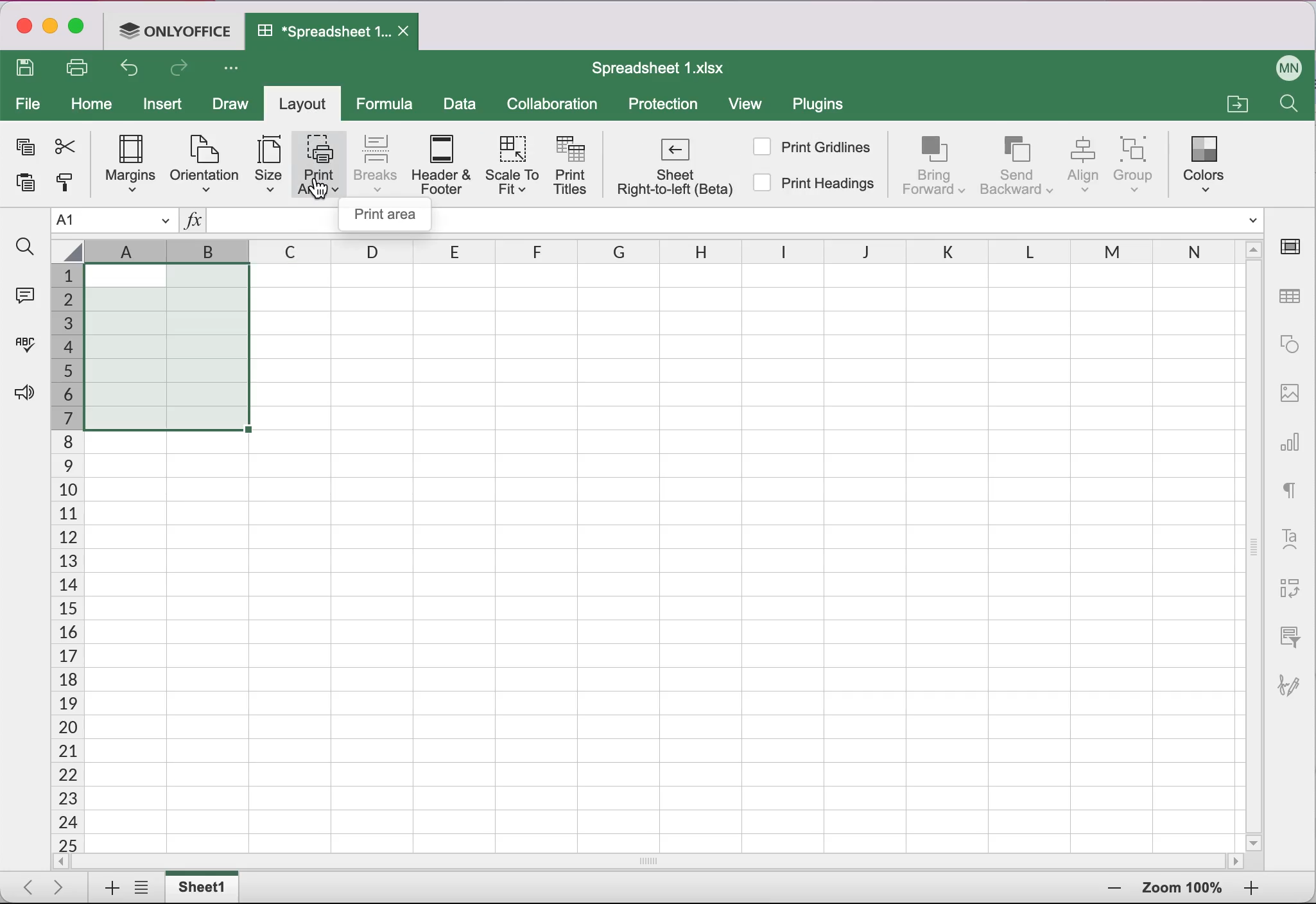 Image resolution: width=1316 pixels, height=904 pixels. What do you see at coordinates (558, 105) in the screenshot?
I see `collaboration` at bounding box center [558, 105].